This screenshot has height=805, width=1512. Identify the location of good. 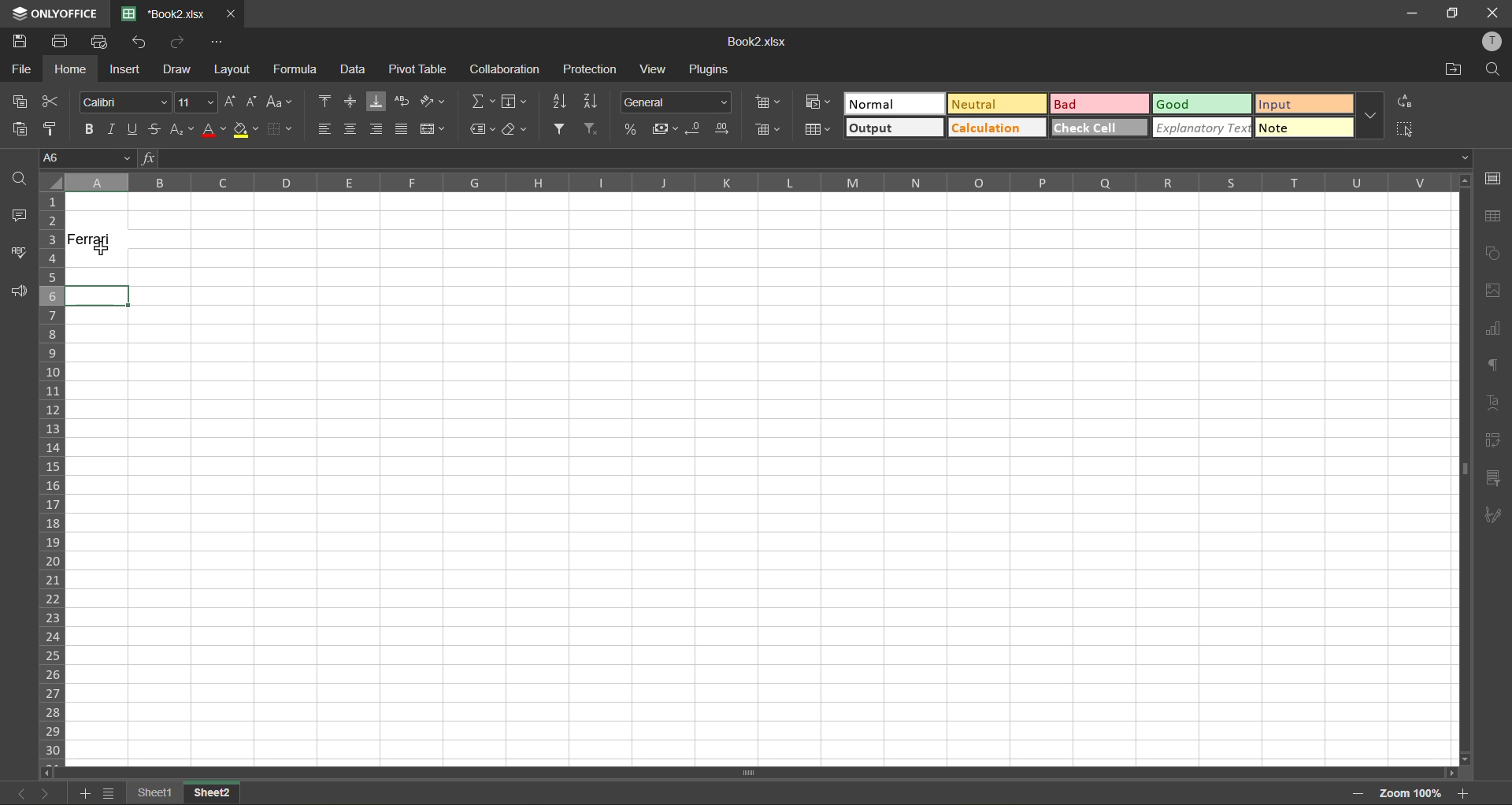
(1204, 106).